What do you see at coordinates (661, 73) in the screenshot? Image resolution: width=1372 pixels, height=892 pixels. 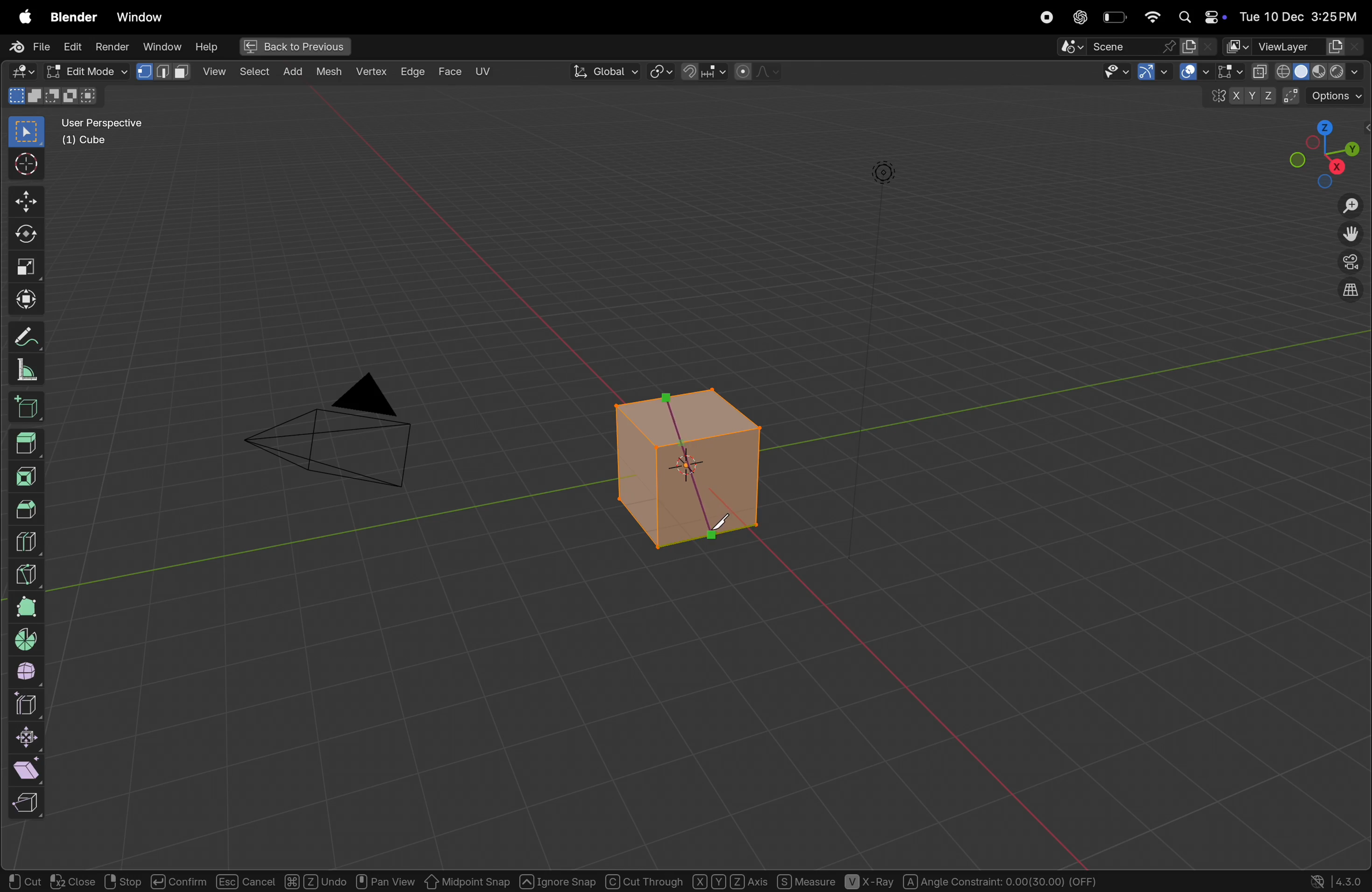 I see `transform pviot` at bounding box center [661, 73].